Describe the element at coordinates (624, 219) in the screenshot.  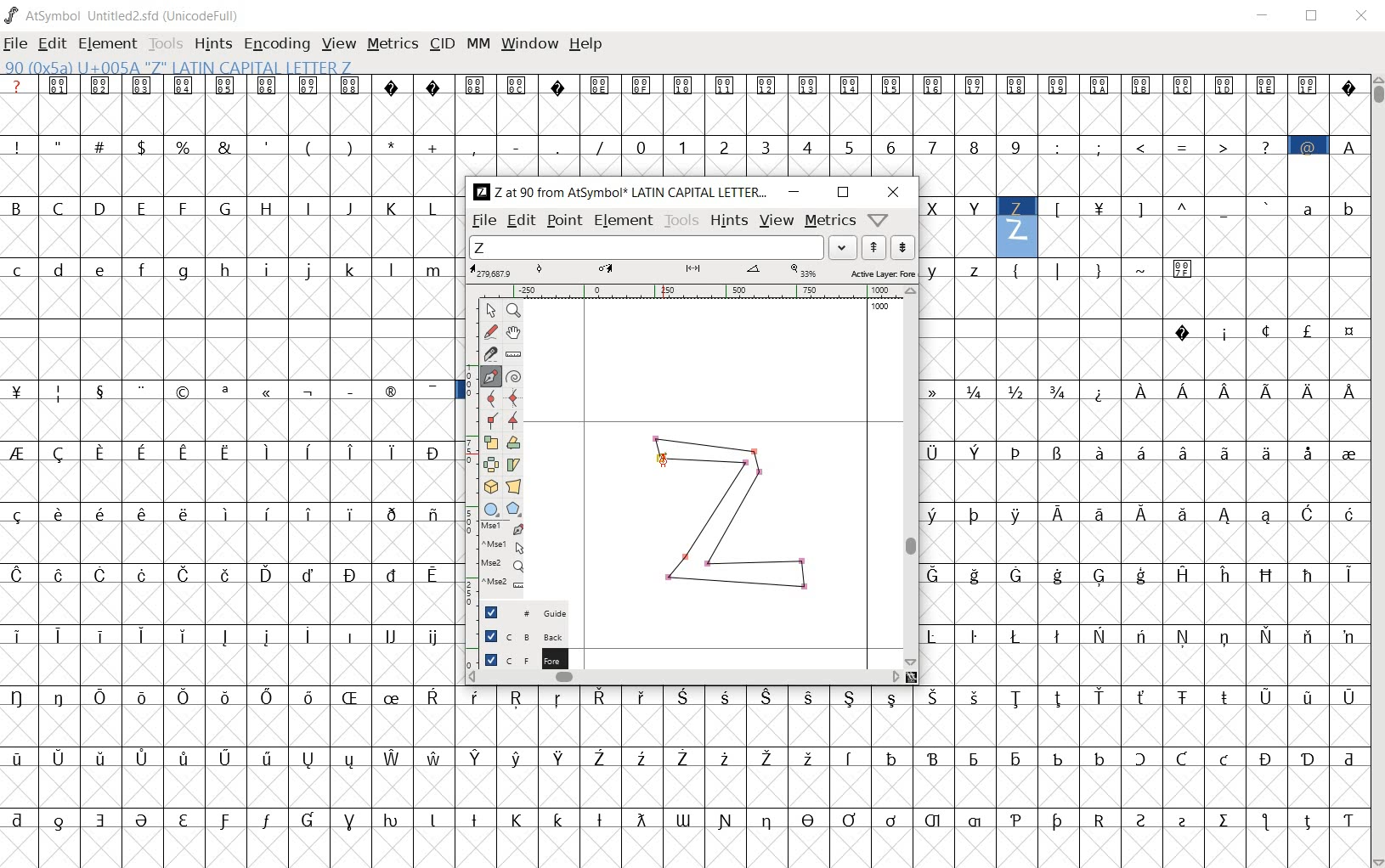
I see `element` at that location.